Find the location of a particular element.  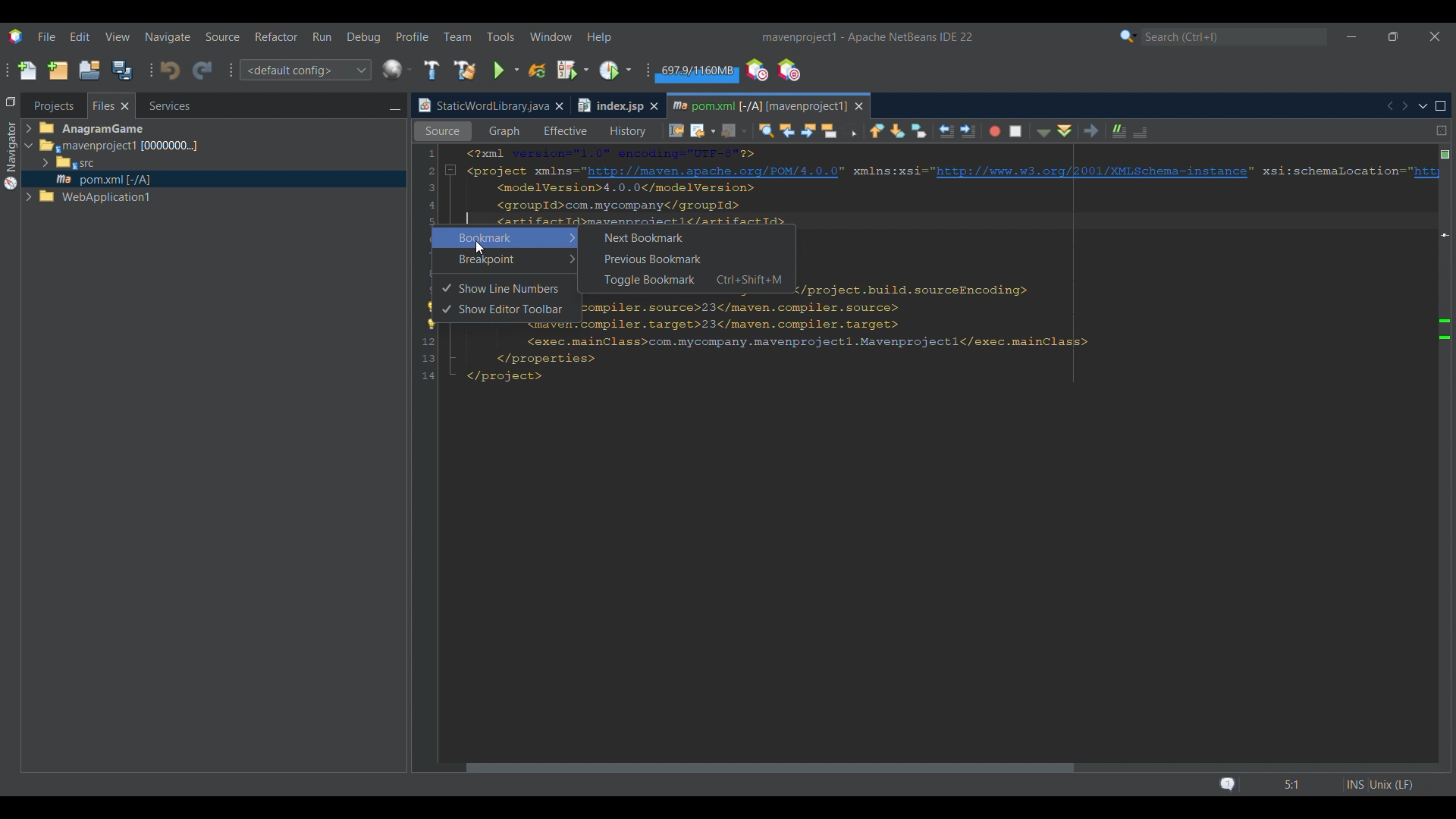

Current tab highlighted is located at coordinates (482, 106).